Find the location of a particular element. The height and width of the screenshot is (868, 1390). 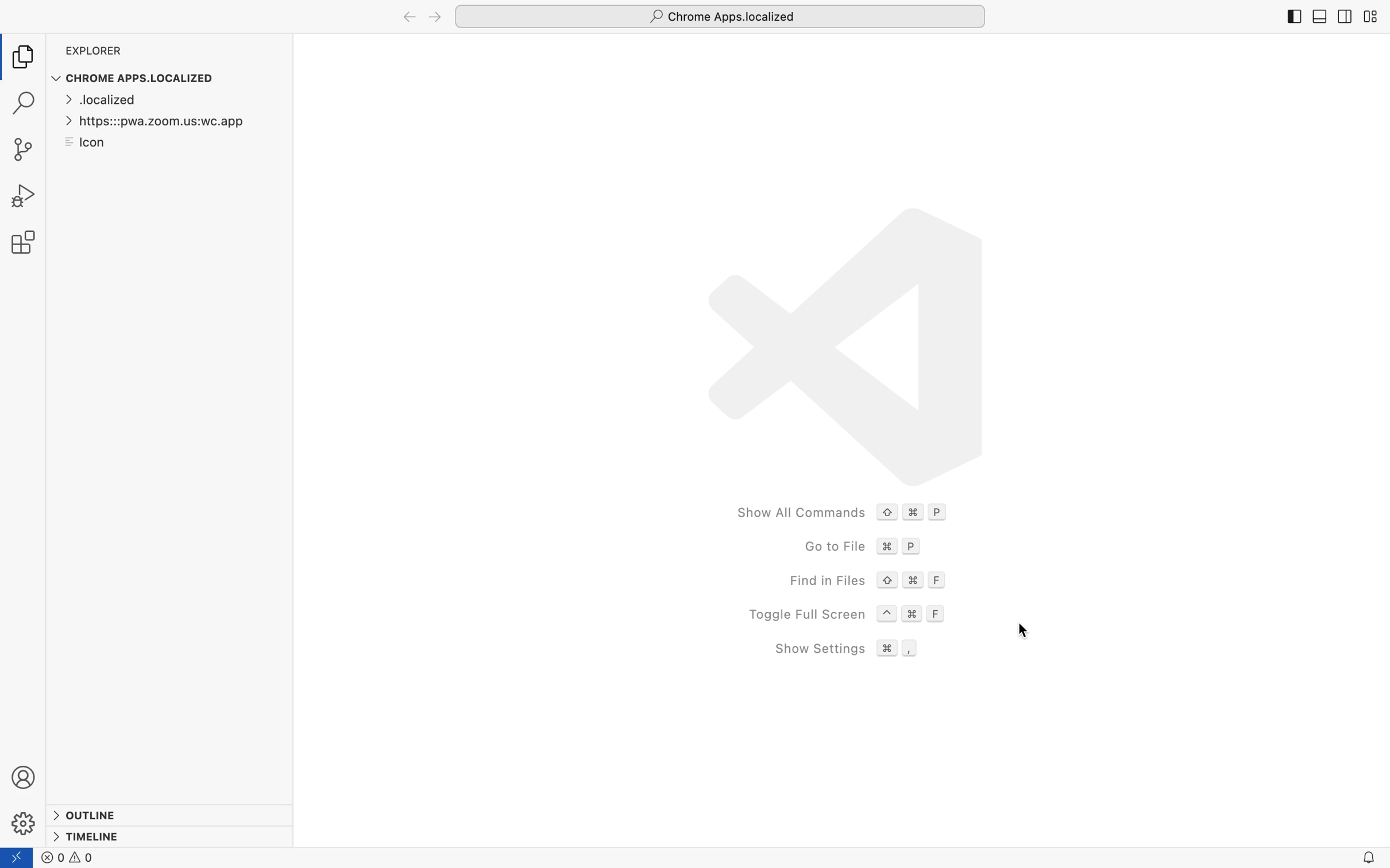

find in files is located at coordinates (871, 581).